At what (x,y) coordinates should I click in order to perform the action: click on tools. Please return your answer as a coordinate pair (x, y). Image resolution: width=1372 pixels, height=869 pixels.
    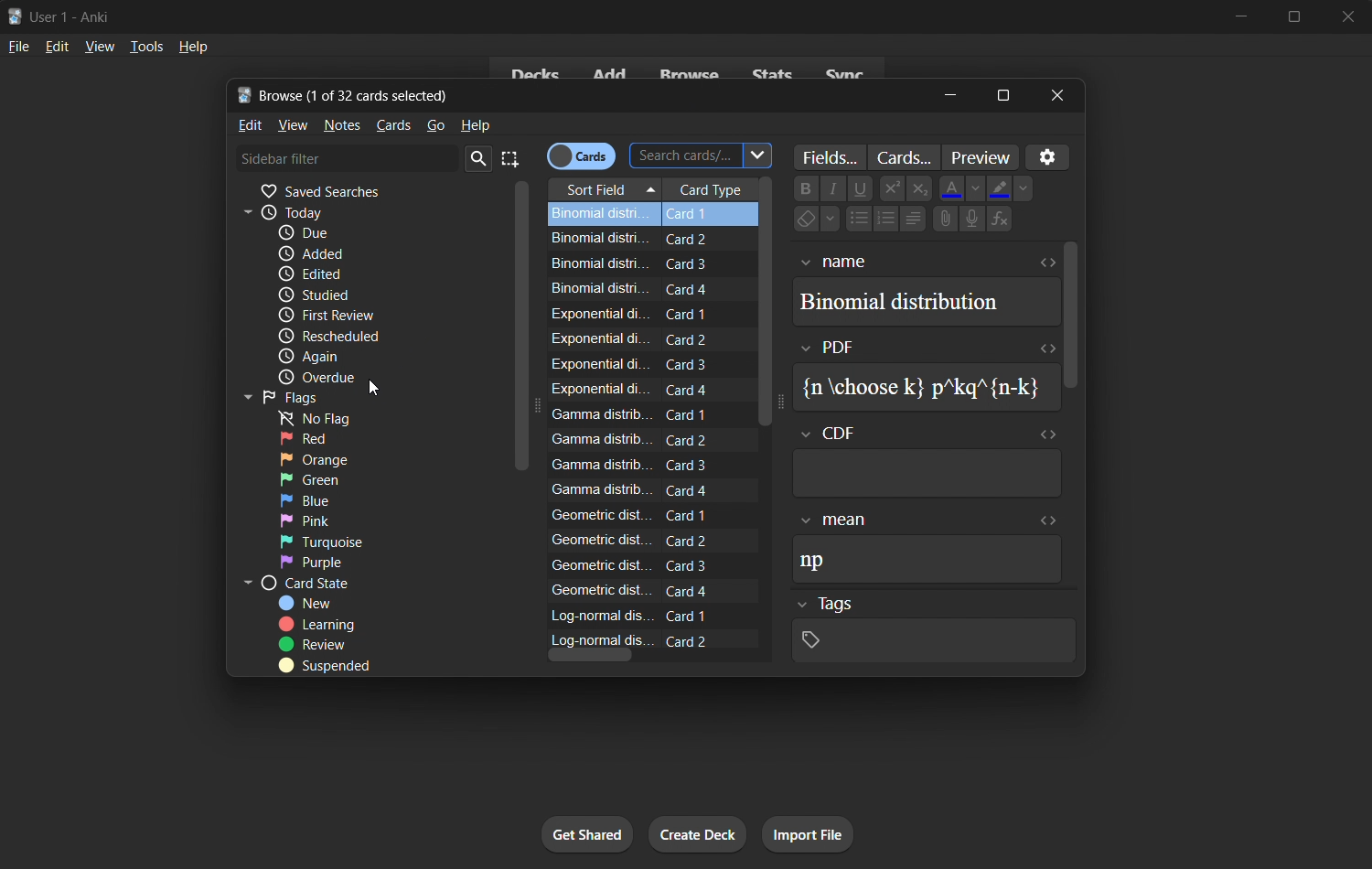
    Looking at the image, I should click on (145, 46).